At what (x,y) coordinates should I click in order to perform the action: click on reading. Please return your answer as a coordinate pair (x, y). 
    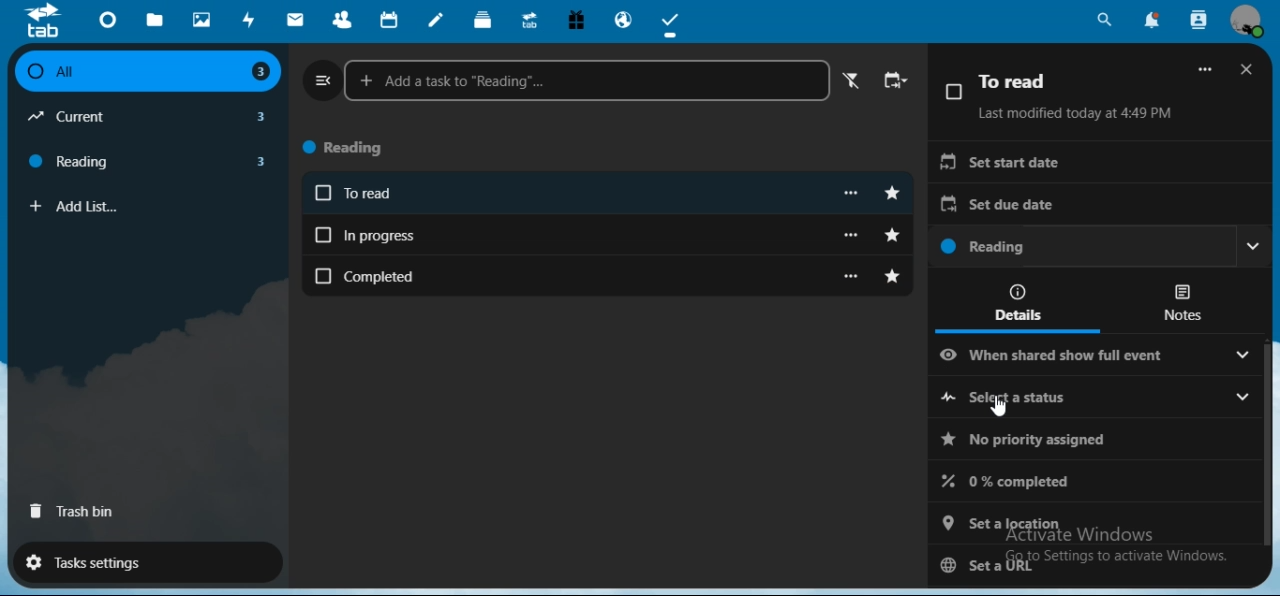
    Looking at the image, I should click on (1080, 247).